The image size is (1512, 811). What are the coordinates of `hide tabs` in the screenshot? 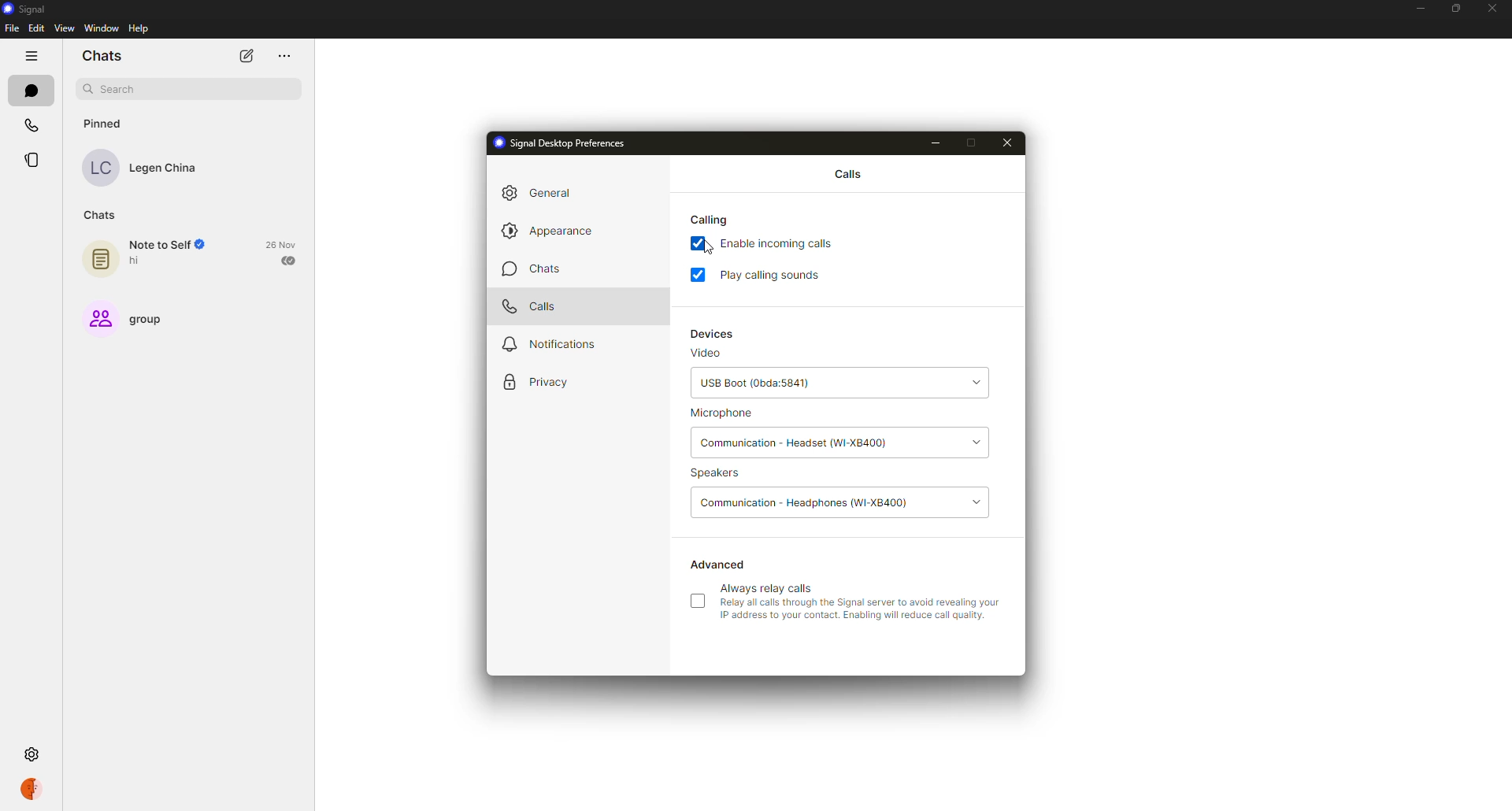 It's located at (29, 55).